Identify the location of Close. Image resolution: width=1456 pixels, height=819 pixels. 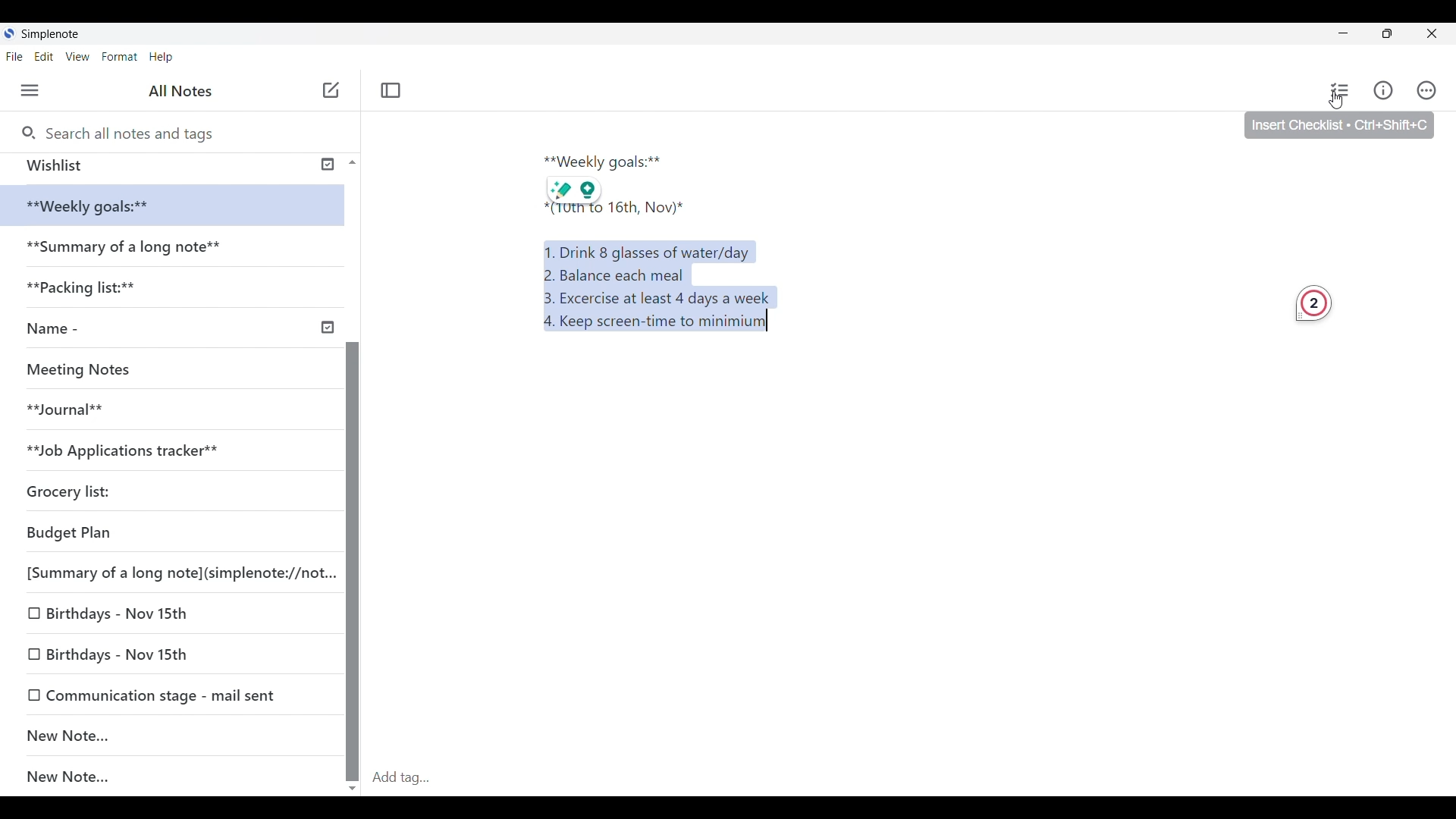
(1438, 33).